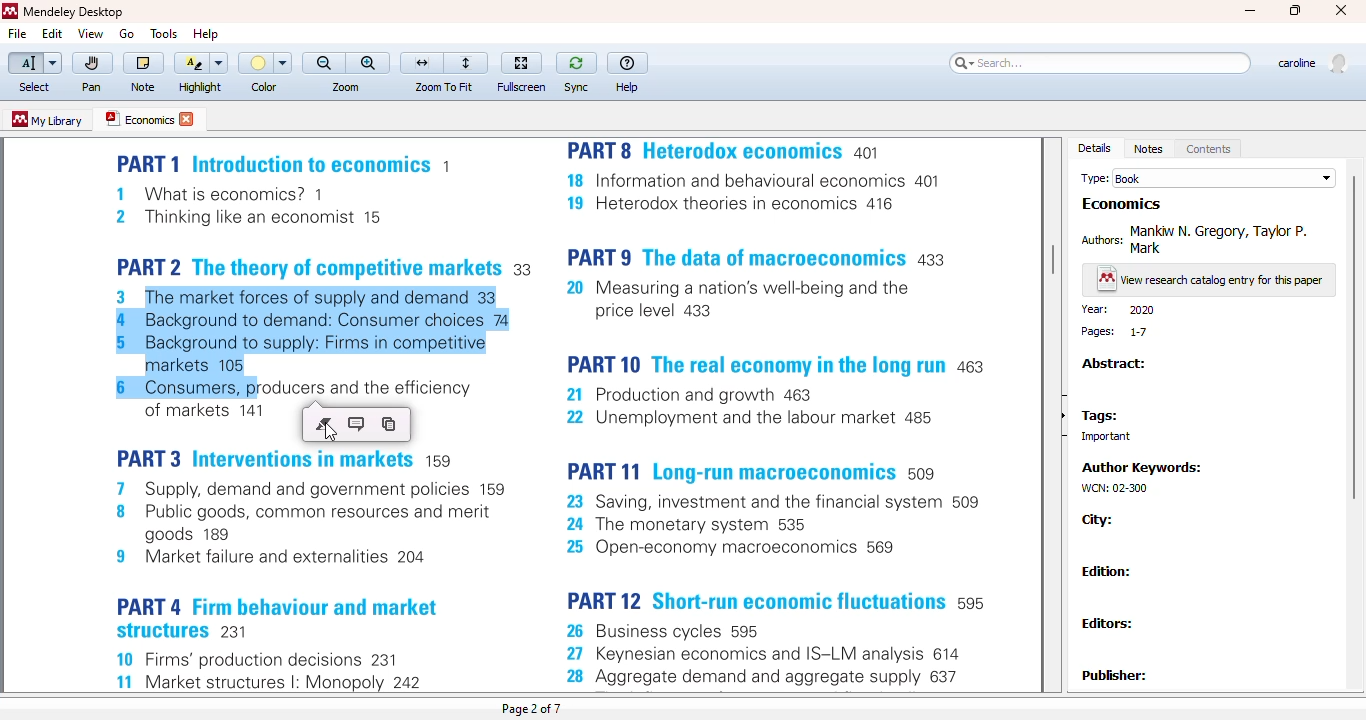  I want to click on pdf text, so click(295, 570).